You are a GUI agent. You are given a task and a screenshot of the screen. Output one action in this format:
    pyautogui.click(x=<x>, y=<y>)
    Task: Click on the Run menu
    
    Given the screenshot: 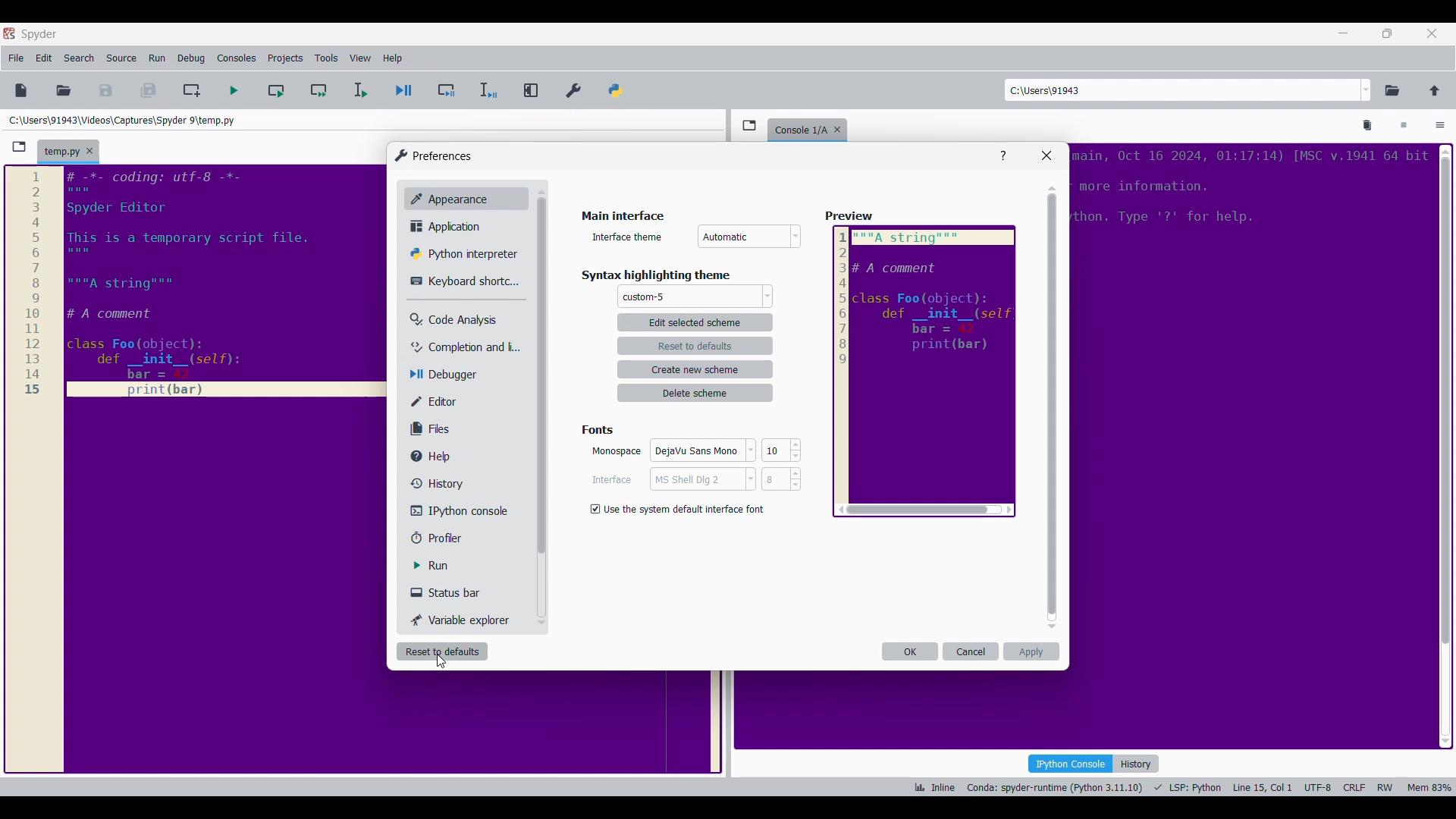 What is the action you would take?
    pyautogui.click(x=157, y=58)
    